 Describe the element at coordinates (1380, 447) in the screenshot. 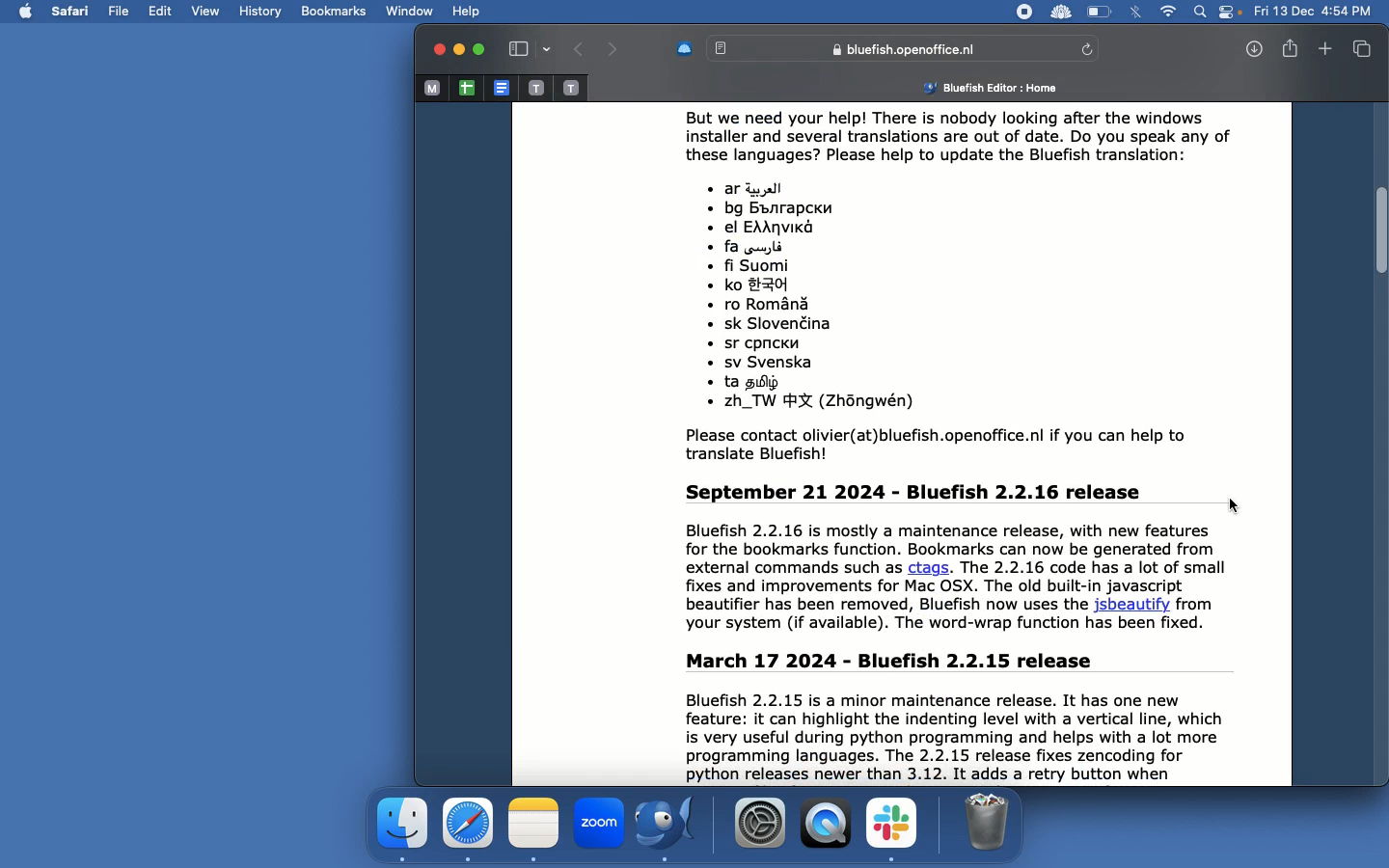

I see `Scroll` at that location.